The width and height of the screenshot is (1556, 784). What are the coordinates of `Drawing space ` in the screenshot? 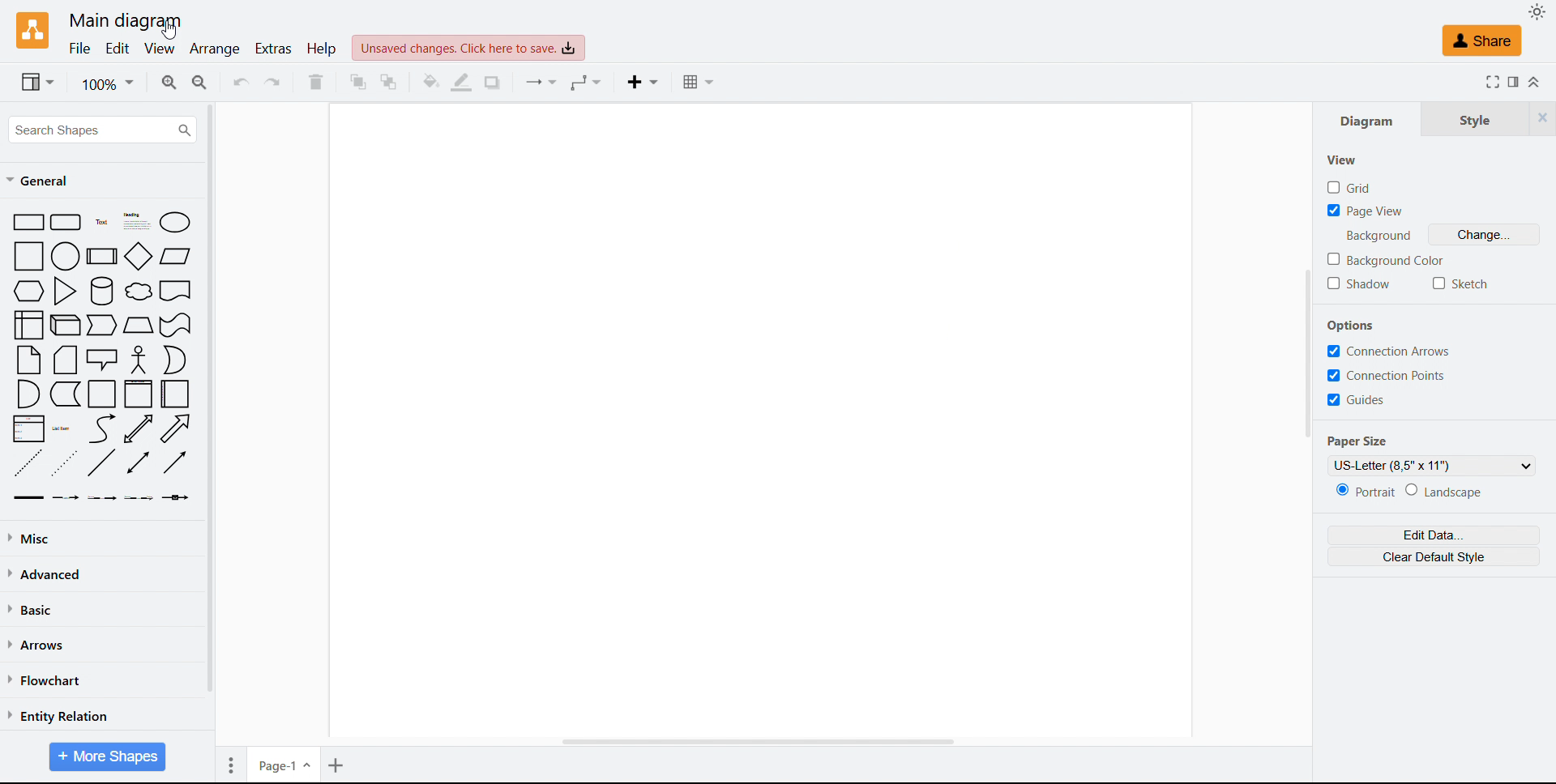 It's located at (765, 422).